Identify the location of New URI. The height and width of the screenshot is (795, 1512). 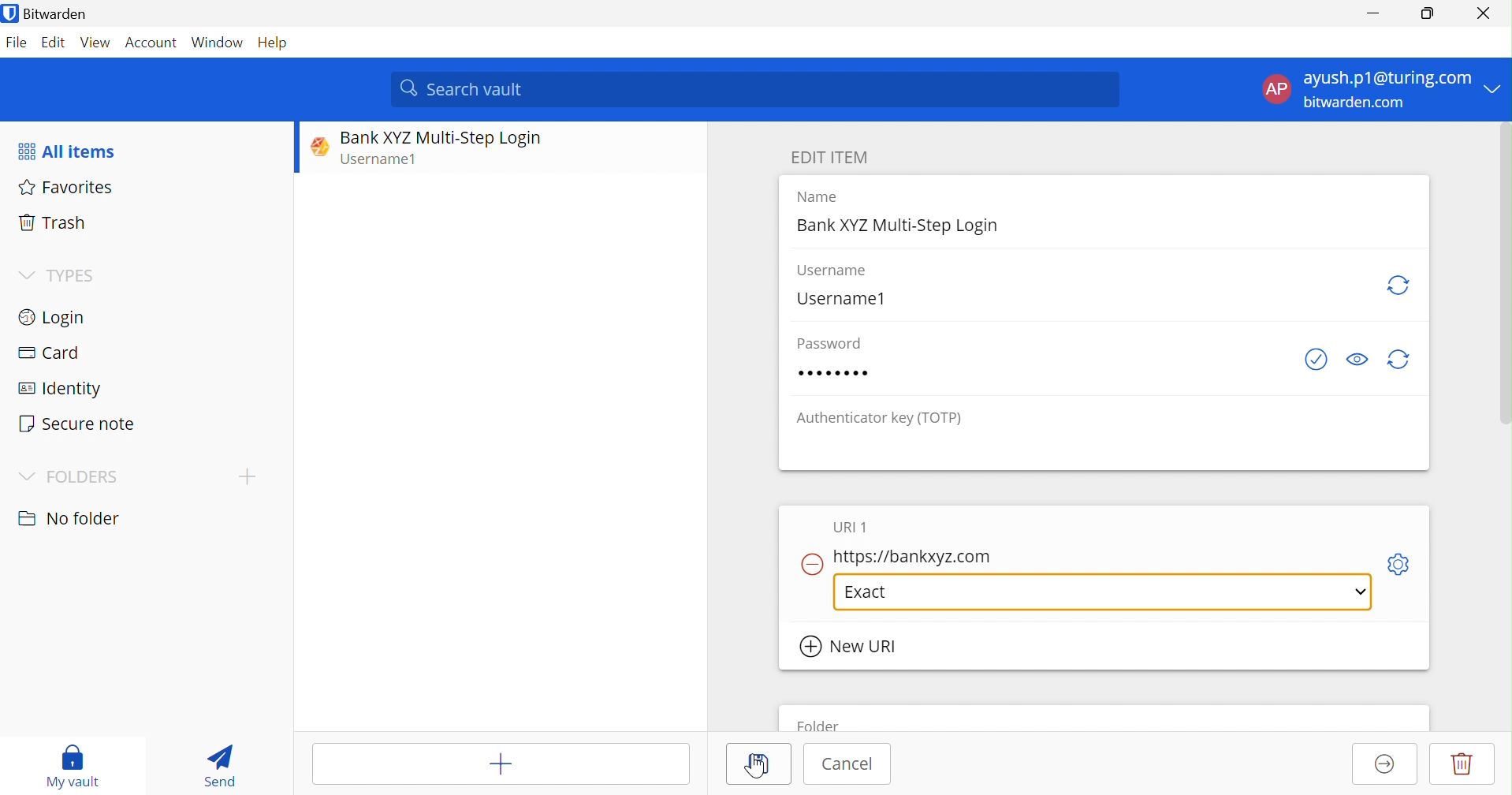
(850, 646).